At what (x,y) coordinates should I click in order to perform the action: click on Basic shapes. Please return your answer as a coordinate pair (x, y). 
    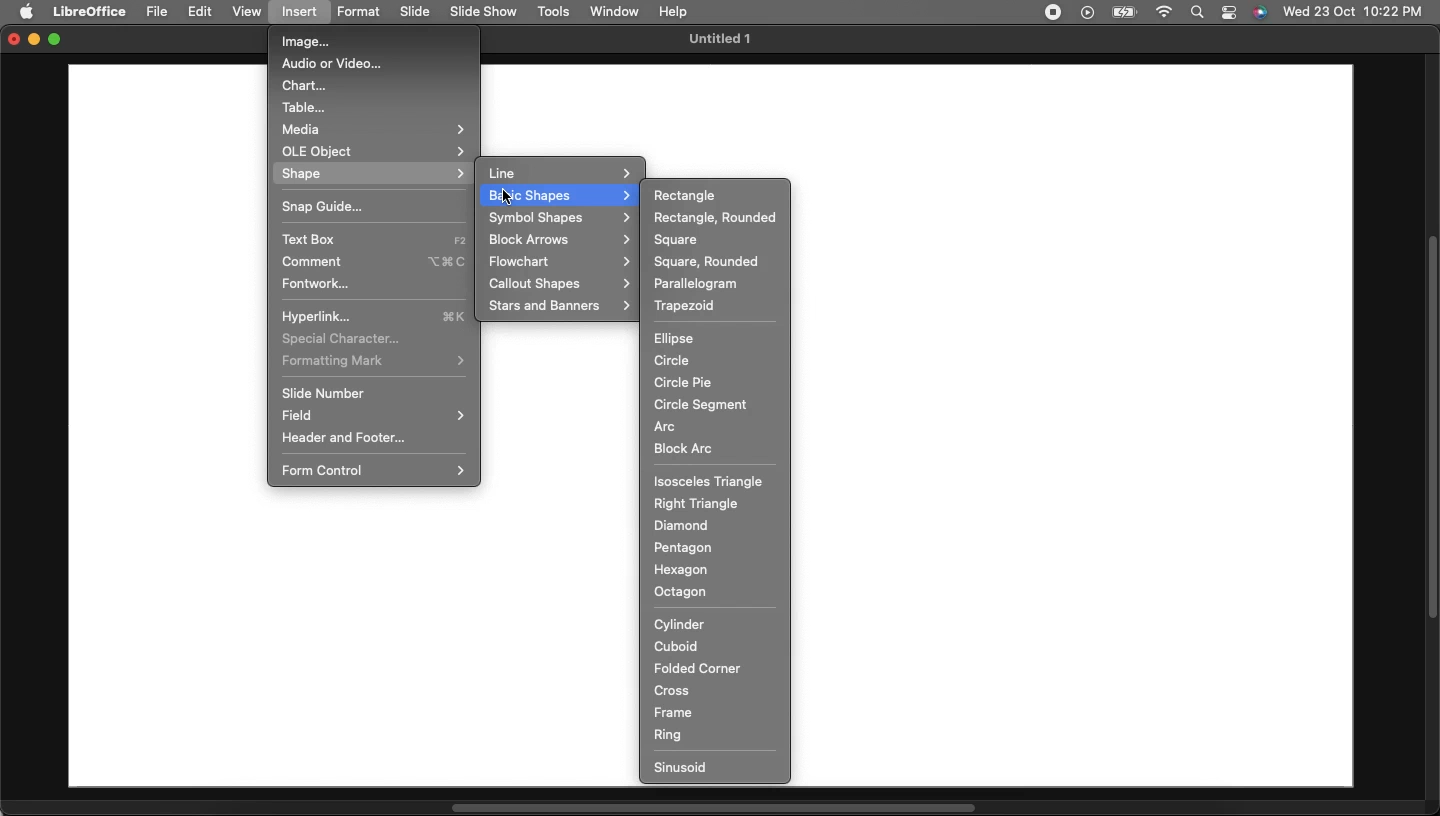
    Looking at the image, I should click on (559, 195).